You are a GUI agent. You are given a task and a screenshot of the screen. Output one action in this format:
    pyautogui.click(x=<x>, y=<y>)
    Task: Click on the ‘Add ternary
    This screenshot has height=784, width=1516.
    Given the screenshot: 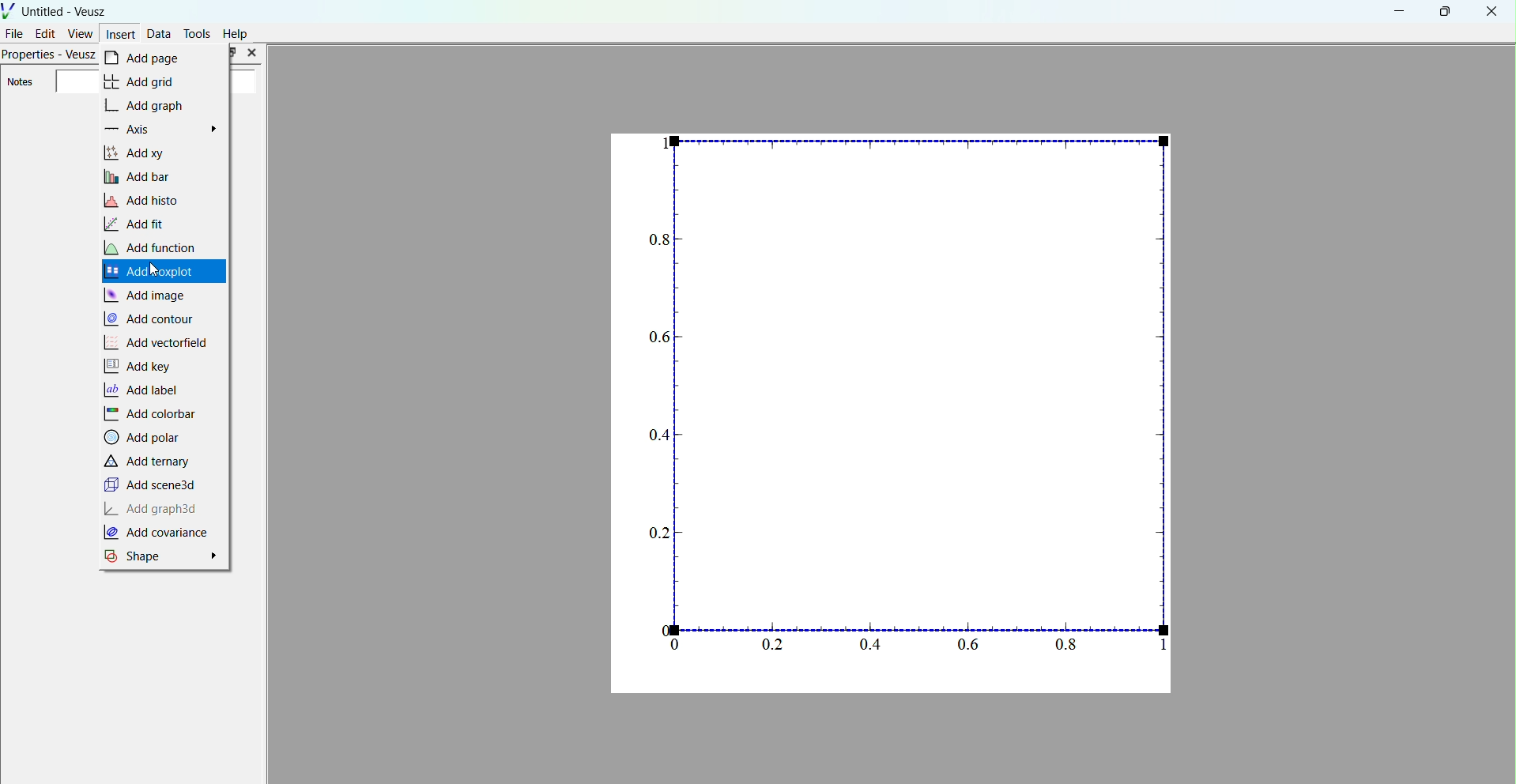 What is the action you would take?
    pyautogui.click(x=151, y=462)
    